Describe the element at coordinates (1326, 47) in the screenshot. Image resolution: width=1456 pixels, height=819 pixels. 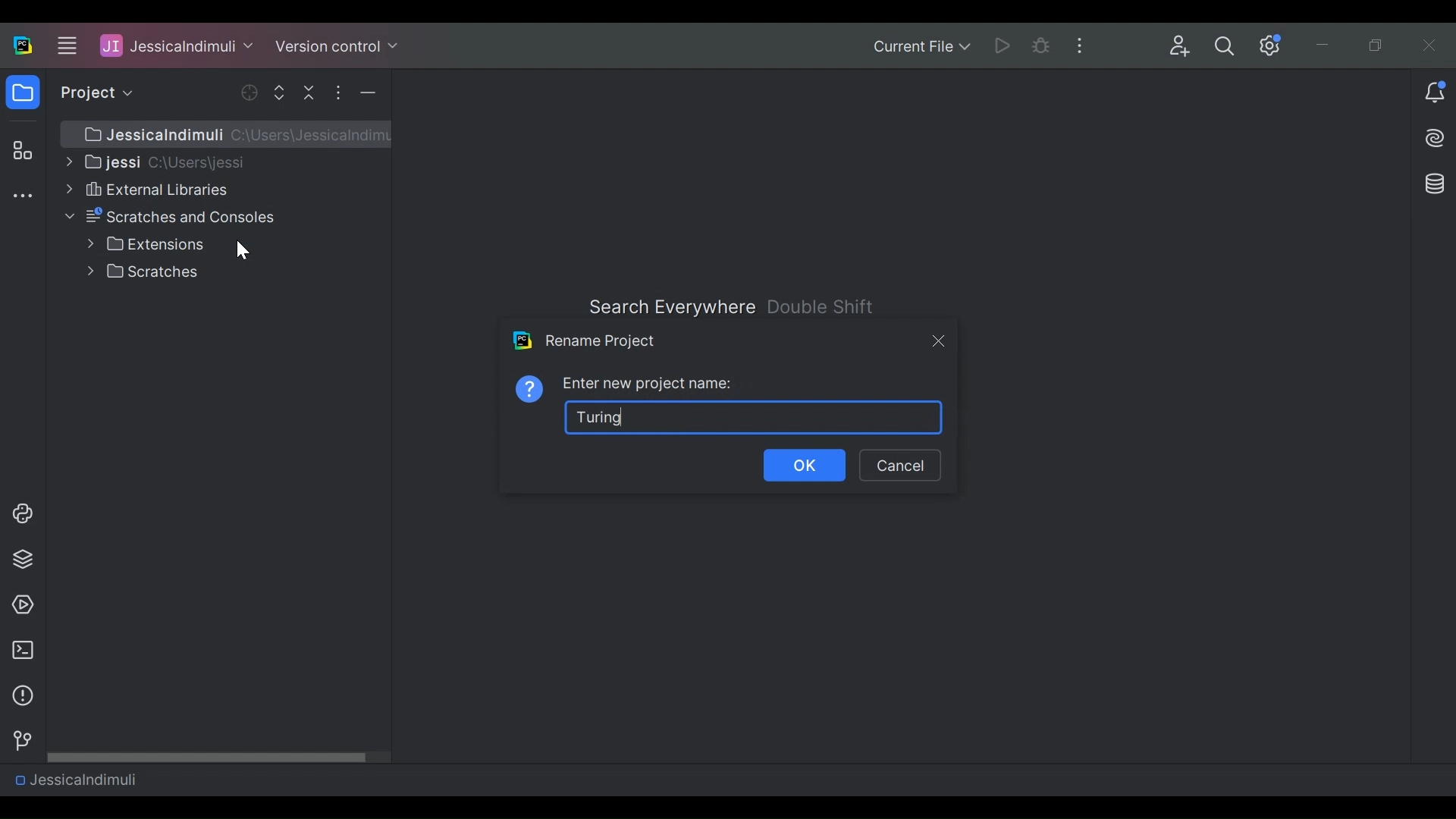
I see `Minimize` at that location.